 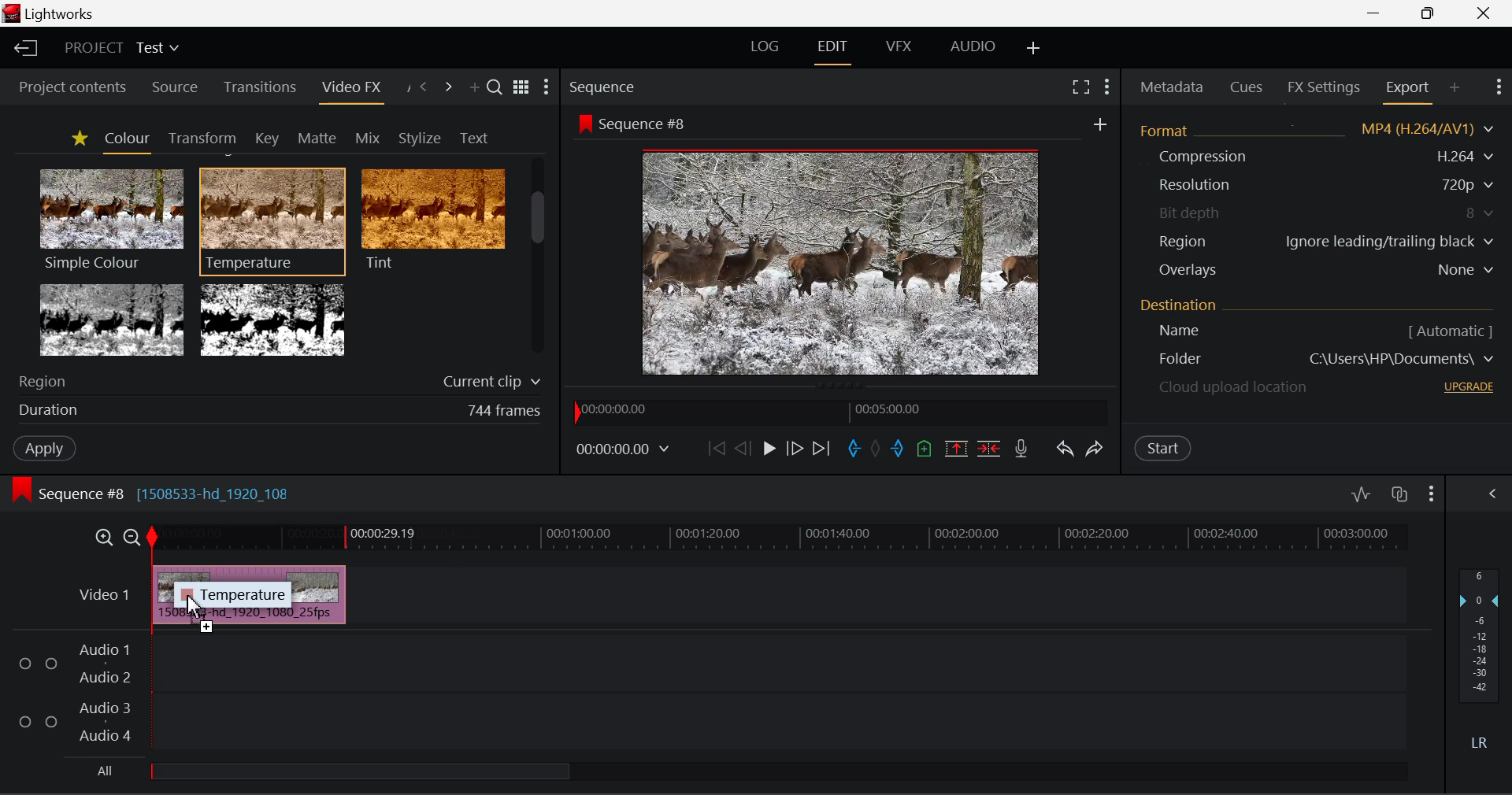 What do you see at coordinates (369, 135) in the screenshot?
I see `Mix` at bounding box center [369, 135].